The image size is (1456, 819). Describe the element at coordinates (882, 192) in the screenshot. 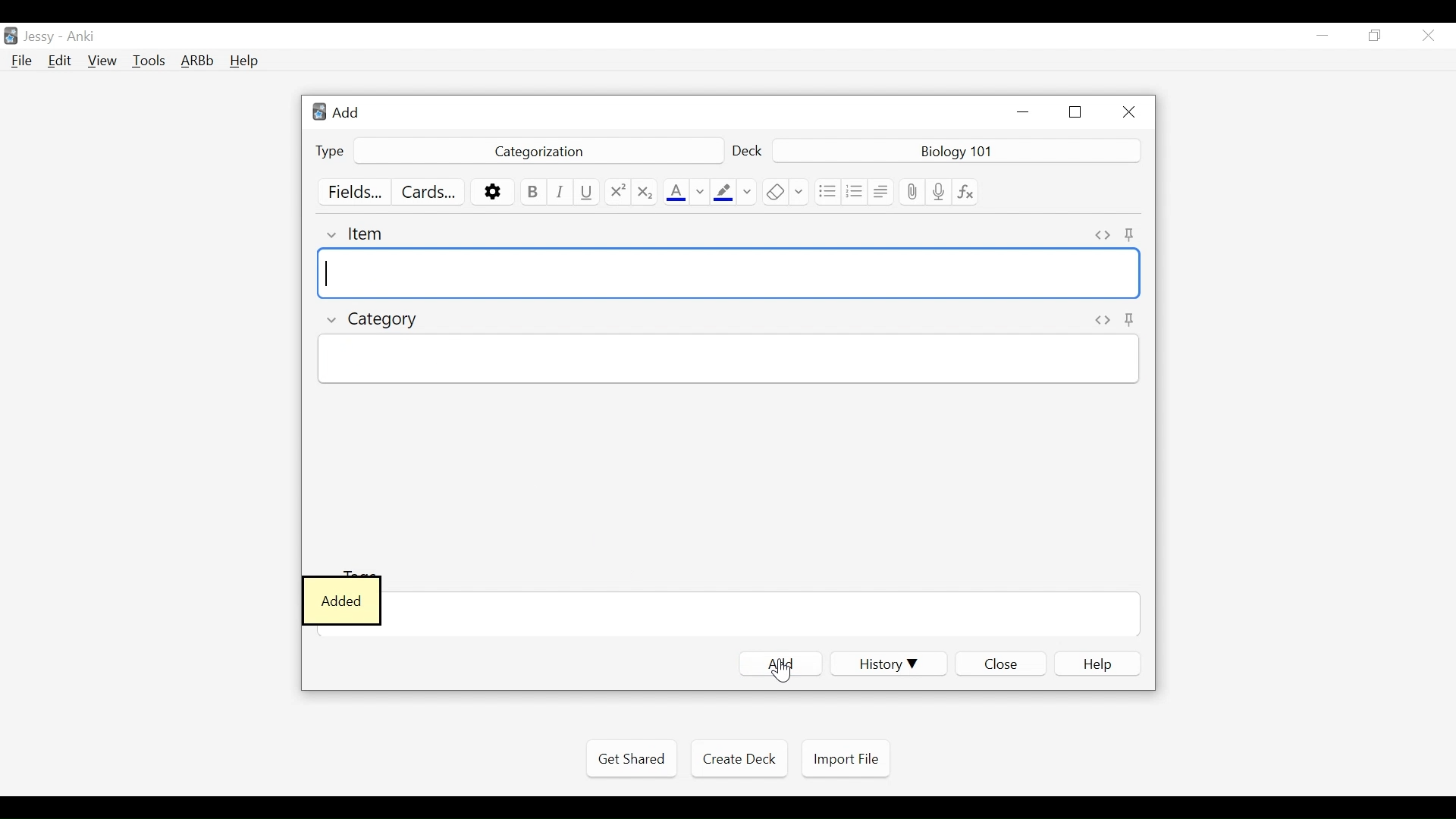

I see `Alignment` at that location.